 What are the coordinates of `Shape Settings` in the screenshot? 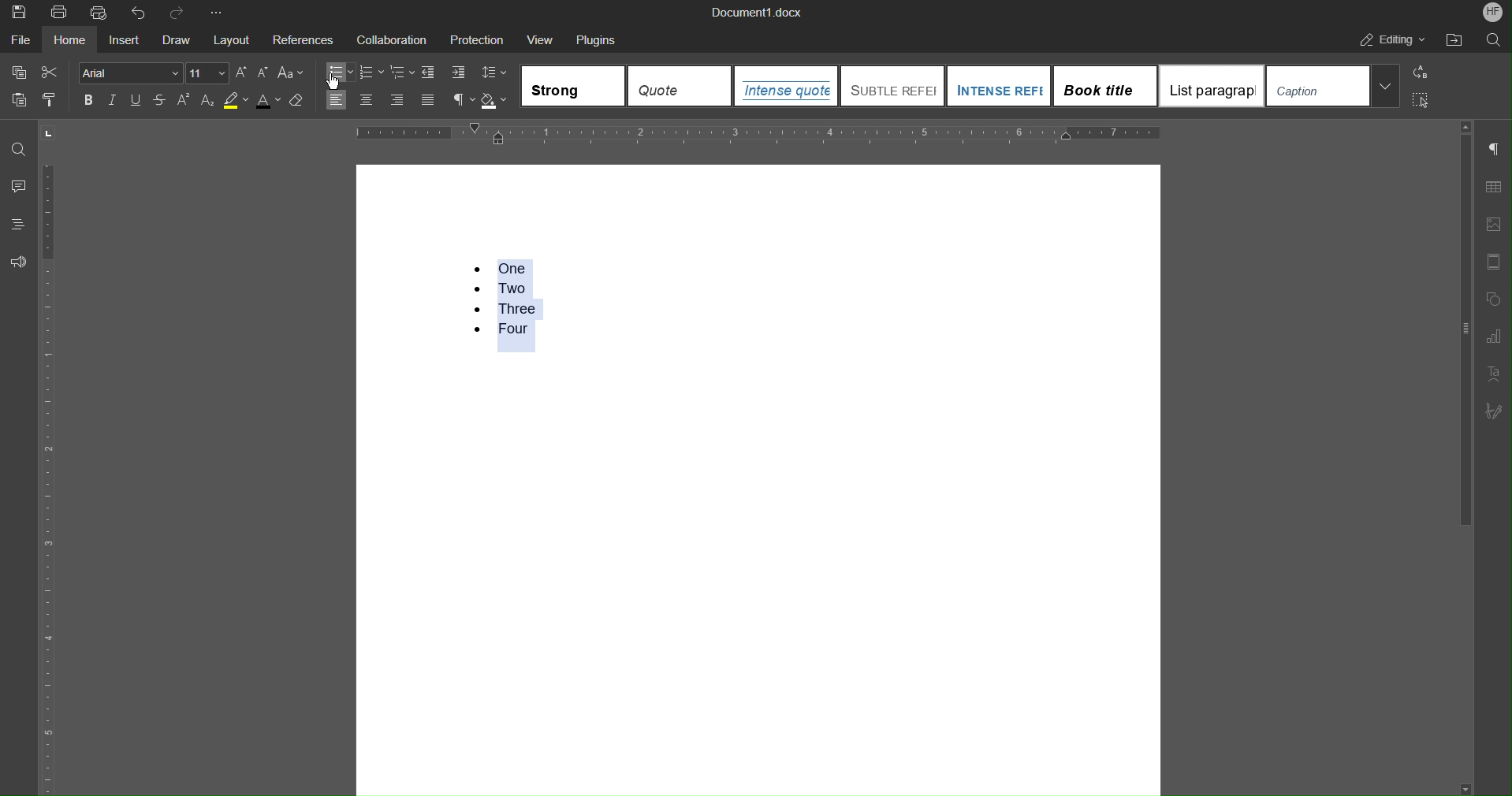 It's located at (1492, 299).